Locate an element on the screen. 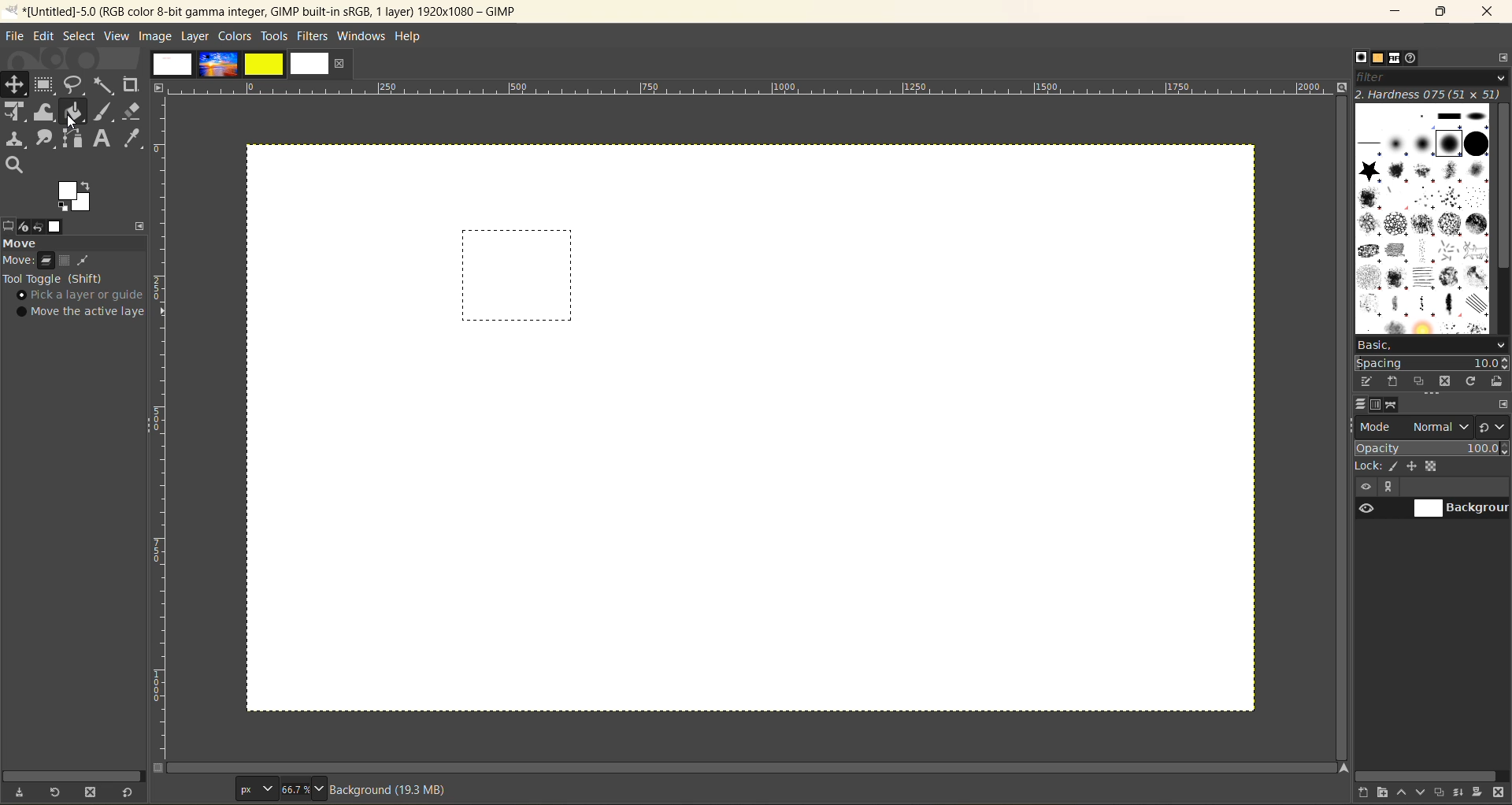 The image size is (1512, 805). tool taggle is located at coordinates (72, 299).